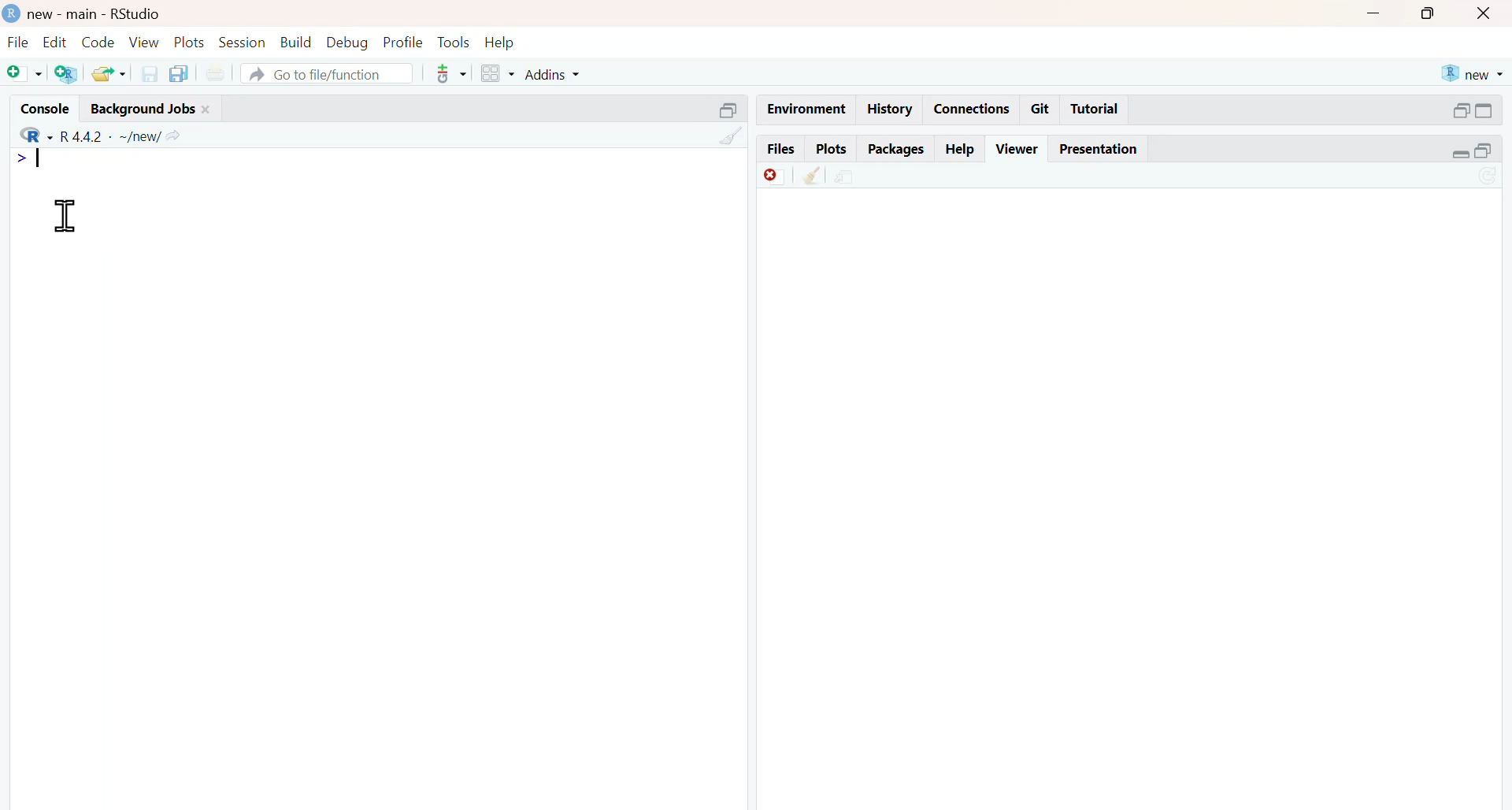 The height and width of the screenshot is (810, 1512). Describe the element at coordinates (66, 74) in the screenshot. I see `add R file` at that location.